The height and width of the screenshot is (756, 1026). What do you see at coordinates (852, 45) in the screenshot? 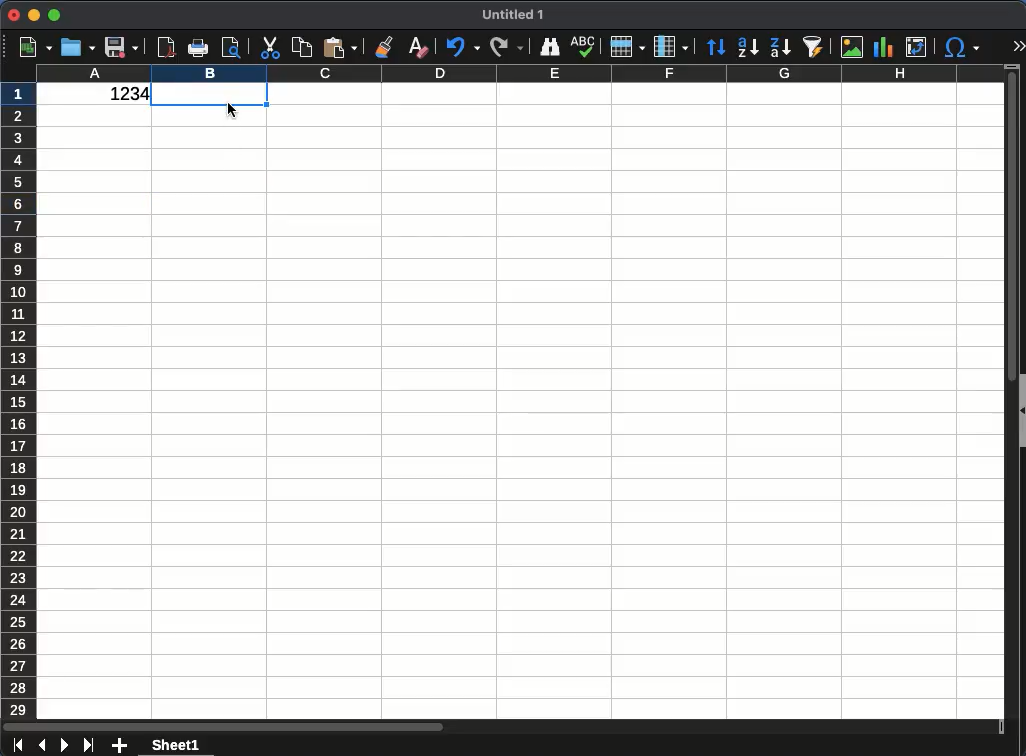
I see `image` at bounding box center [852, 45].